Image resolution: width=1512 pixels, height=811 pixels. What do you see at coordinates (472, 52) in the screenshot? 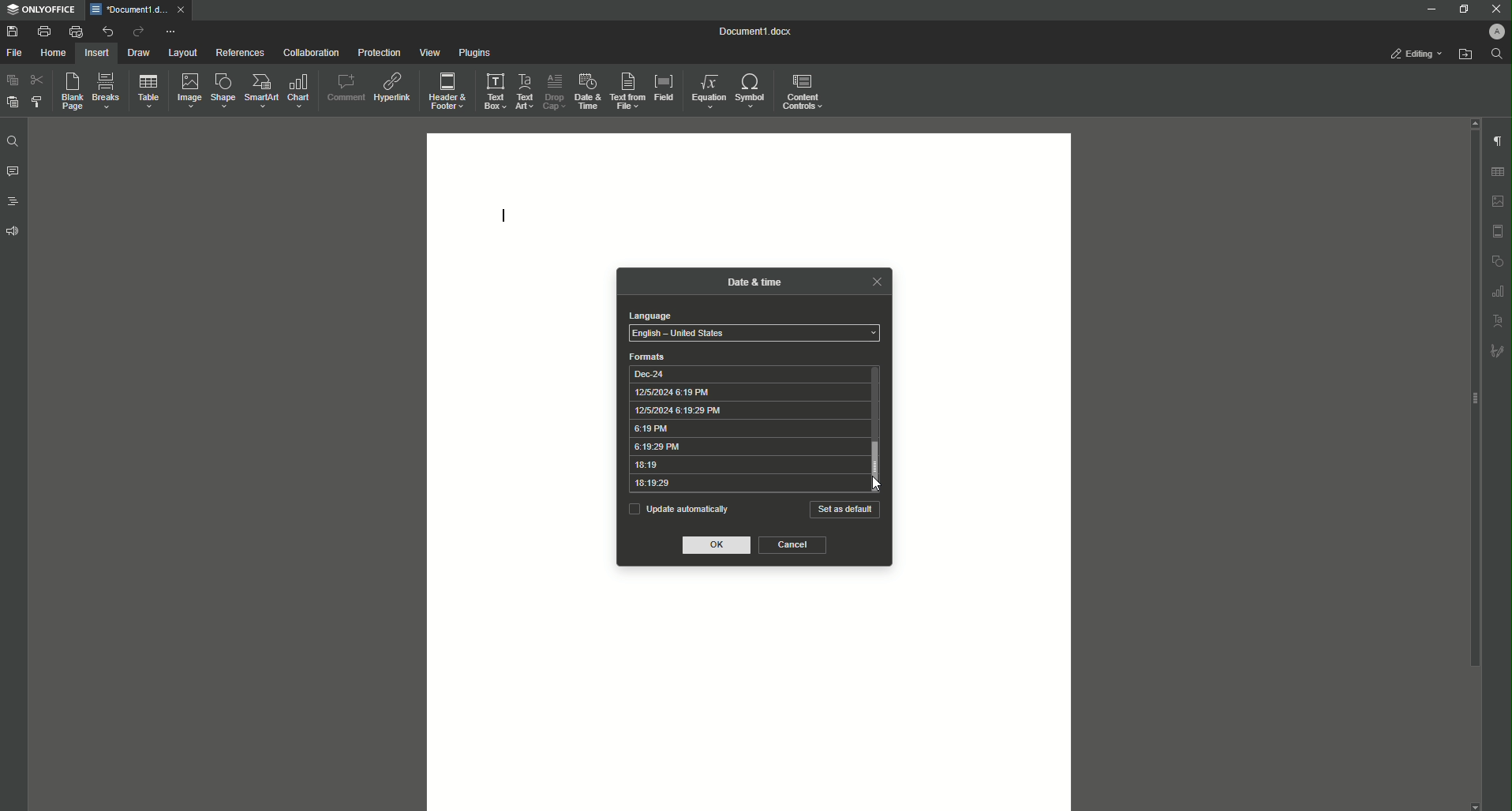
I see `Plugins` at bounding box center [472, 52].